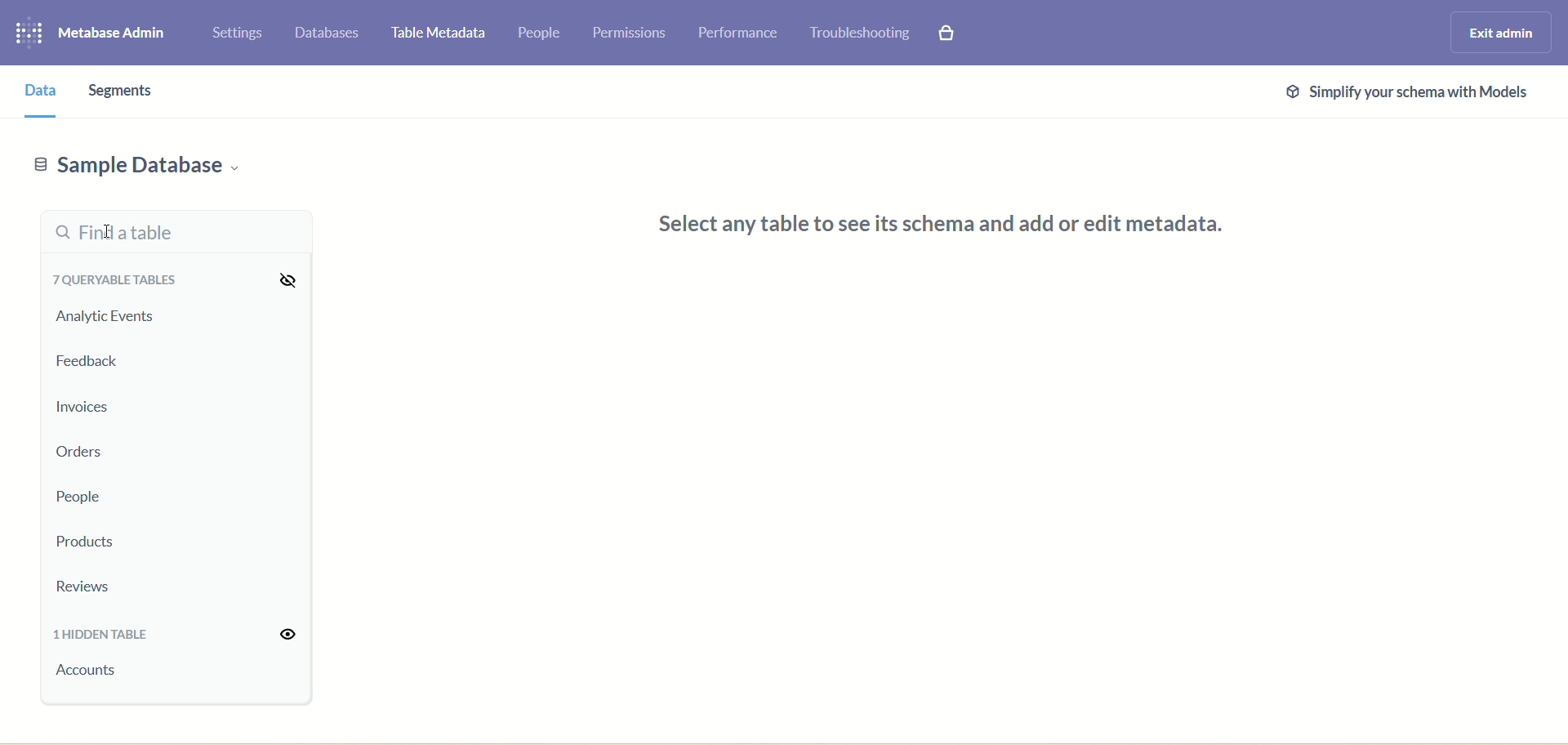 This screenshot has width=1568, height=745. I want to click on analytic events, so click(102, 315).